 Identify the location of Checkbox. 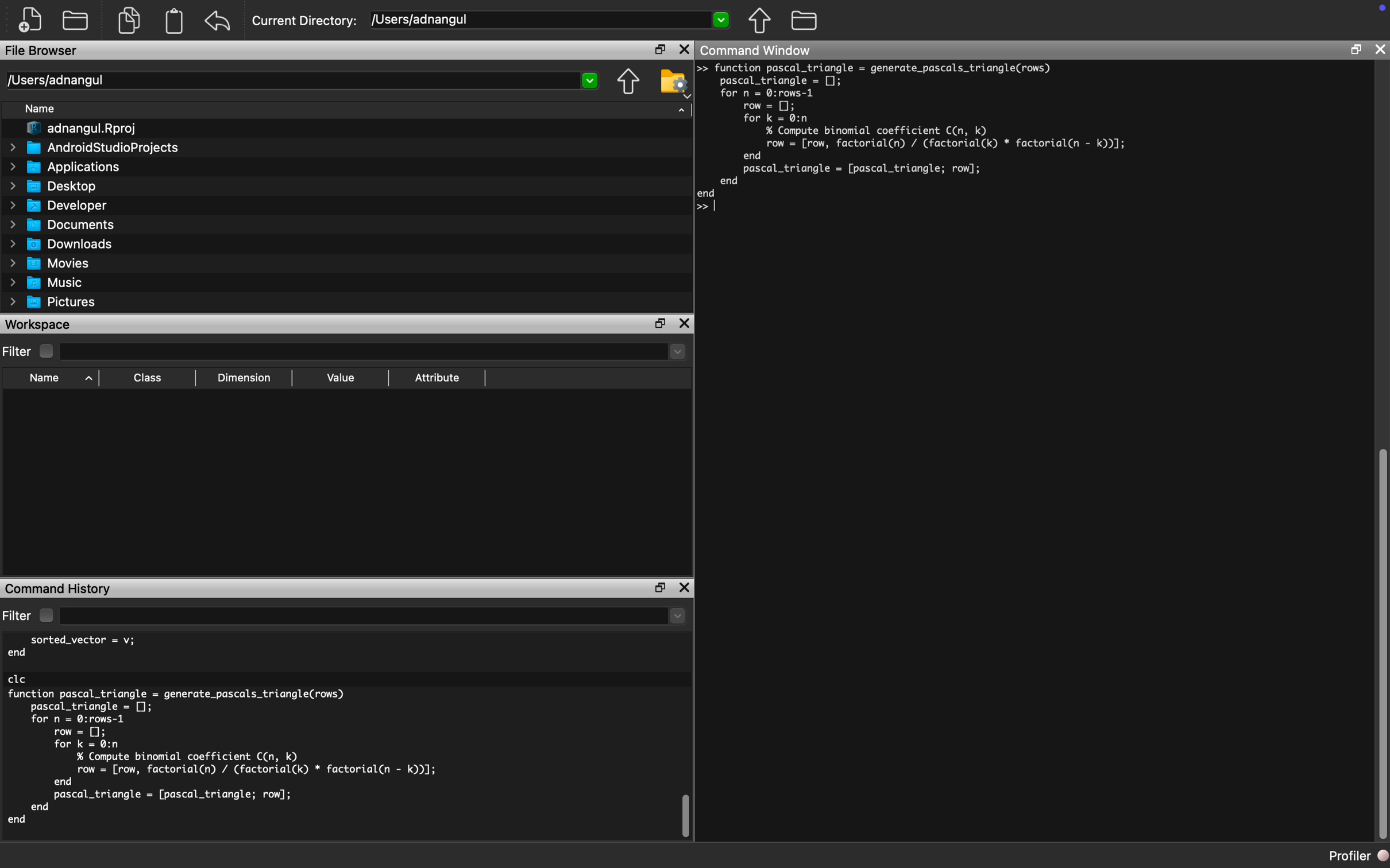
(46, 615).